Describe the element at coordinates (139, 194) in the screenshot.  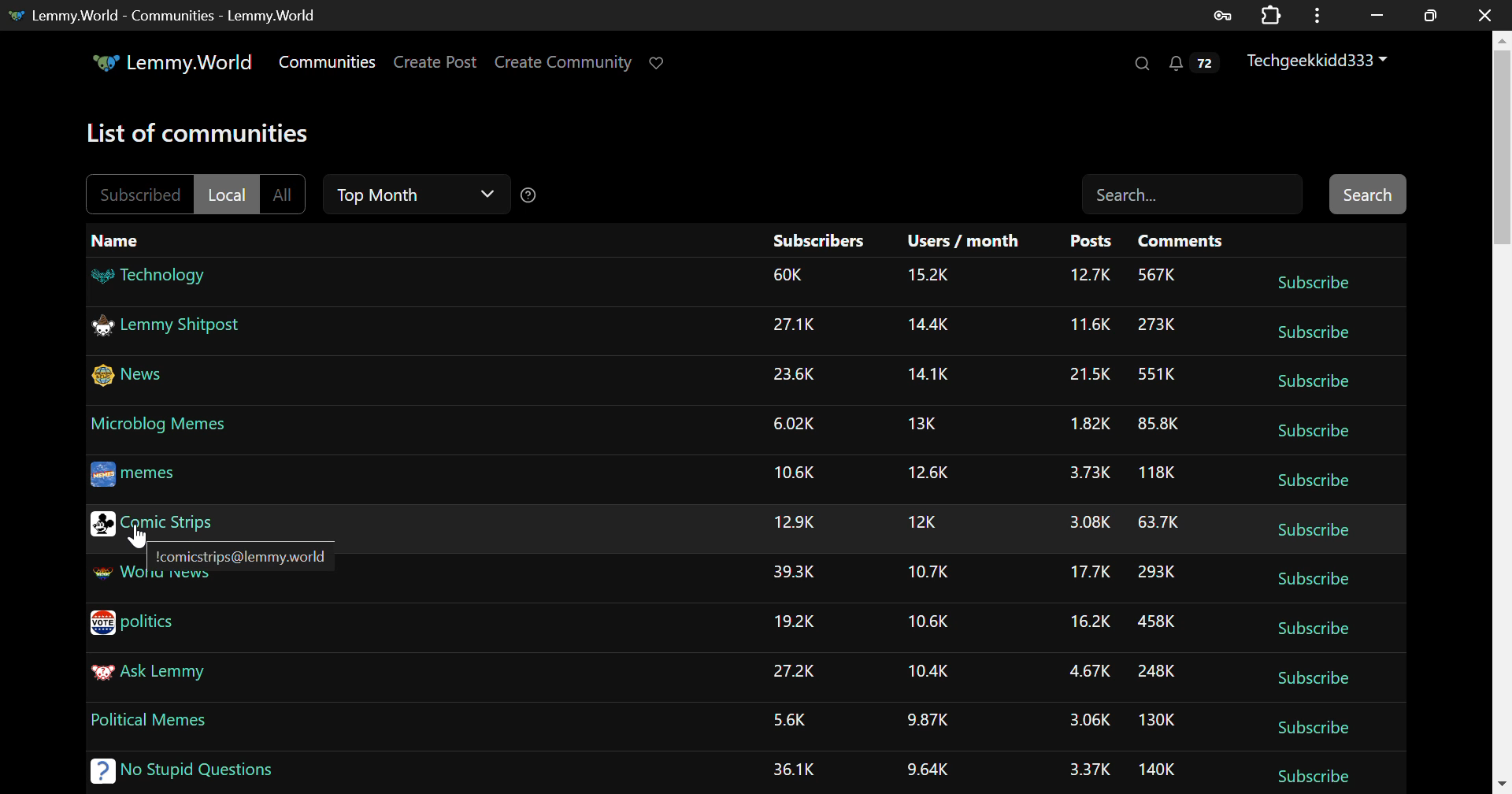
I see `Subscribed Filter Unselected` at that location.